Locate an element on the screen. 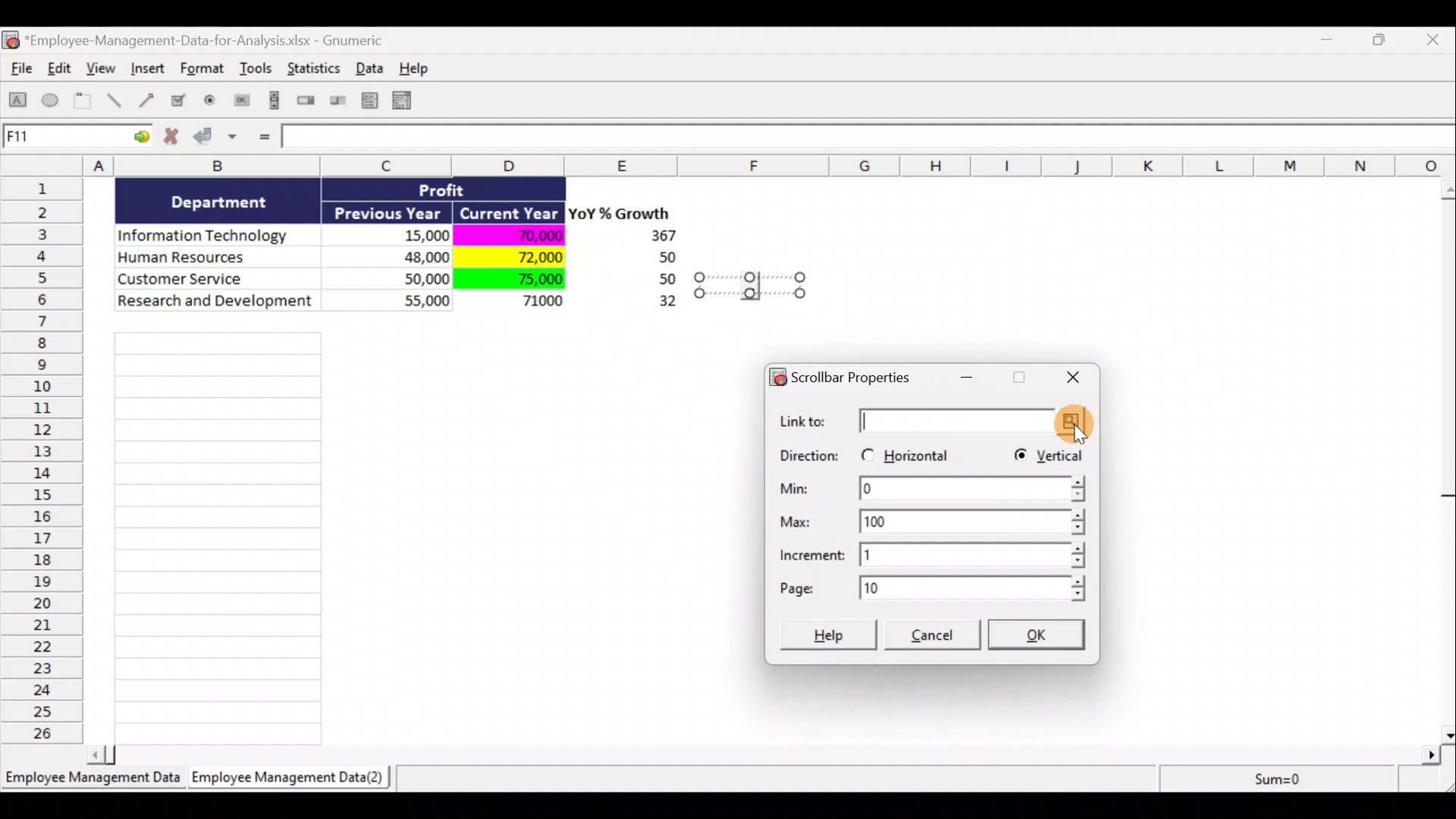  Cells is located at coordinates (218, 534).